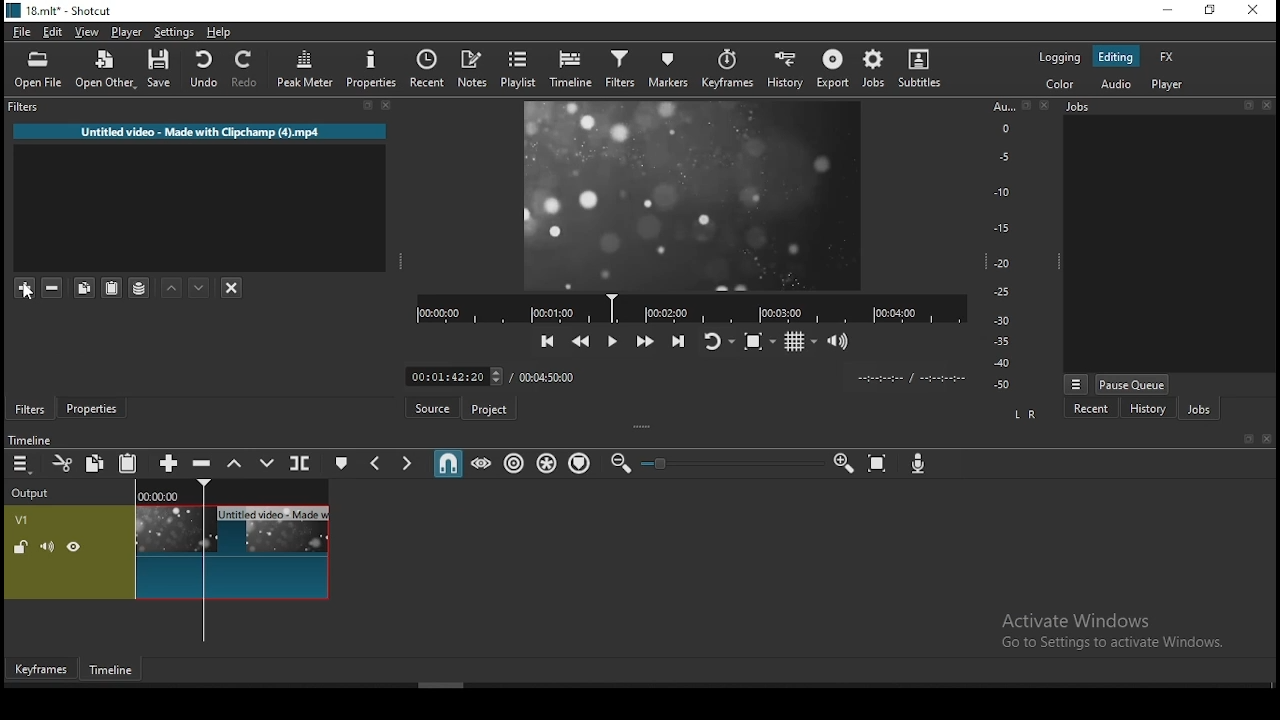 The height and width of the screenshot is (720, 1280). What do you see at coordinates (55, 33) in the screenshot?
I see `edit` at bounding box center [55, 33].